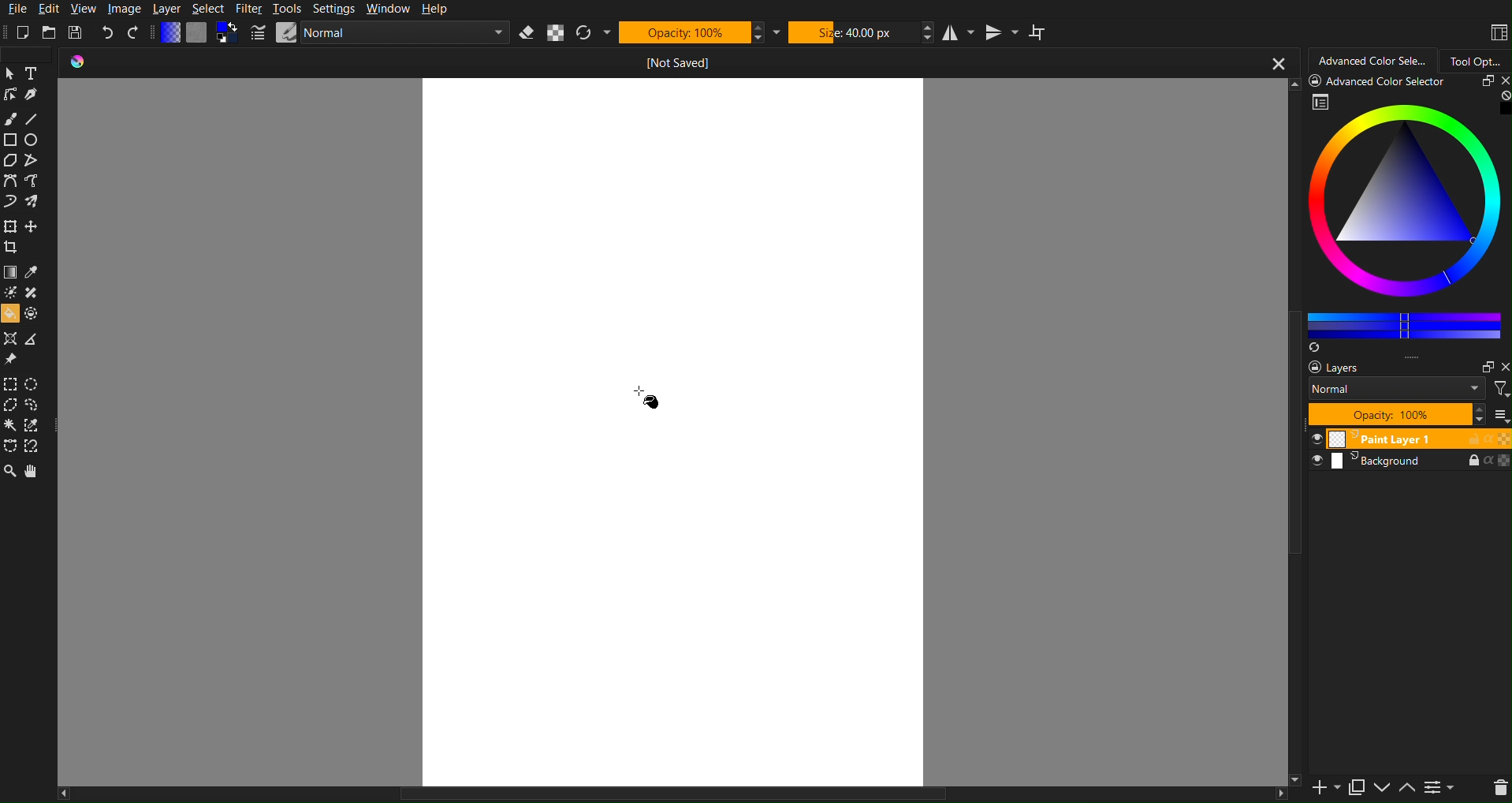 The width and height of the screenshot is (1512, 803). Describe the element at coordinates (1497, 30) in the screenshot. I see `Workspaces` at that location.